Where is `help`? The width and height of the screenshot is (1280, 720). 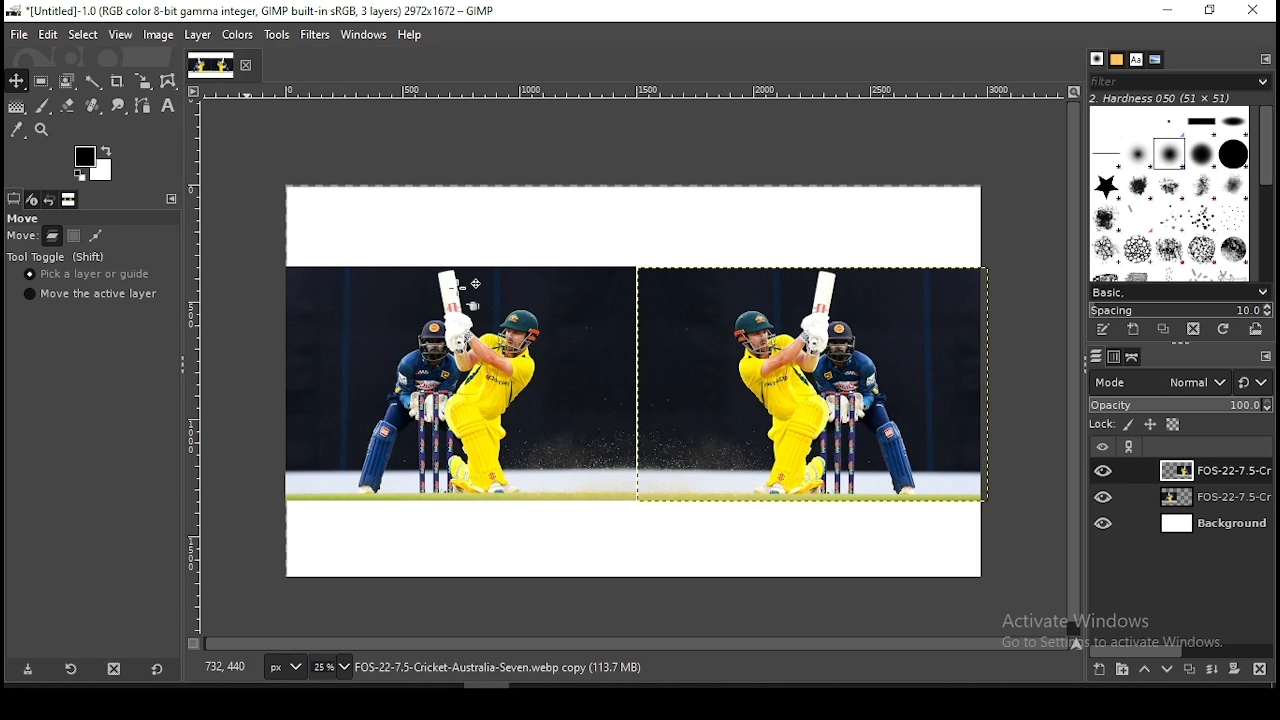 help is located at coordinates (410, 37).